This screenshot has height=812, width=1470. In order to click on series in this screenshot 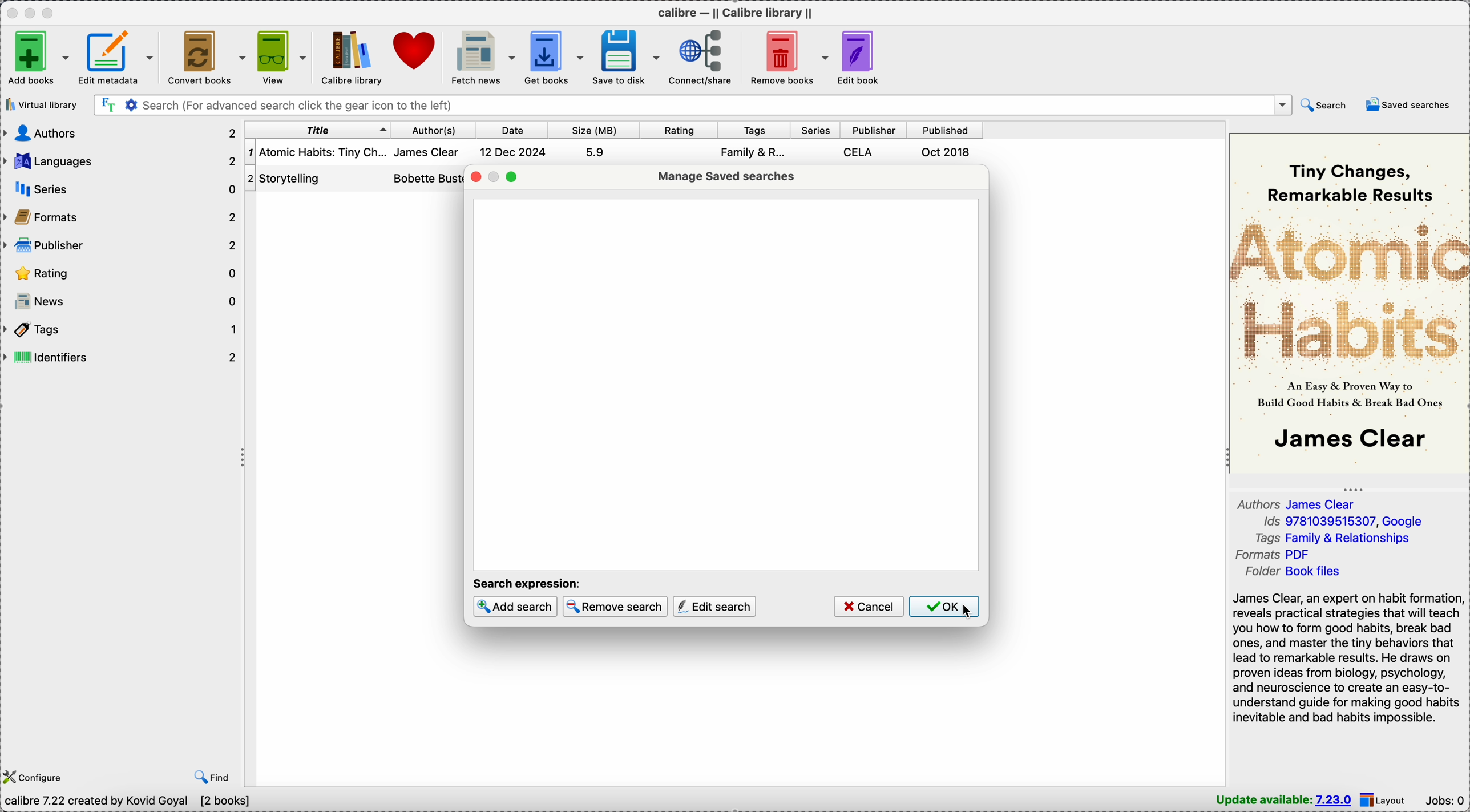, I will do `click(119, 190)`.